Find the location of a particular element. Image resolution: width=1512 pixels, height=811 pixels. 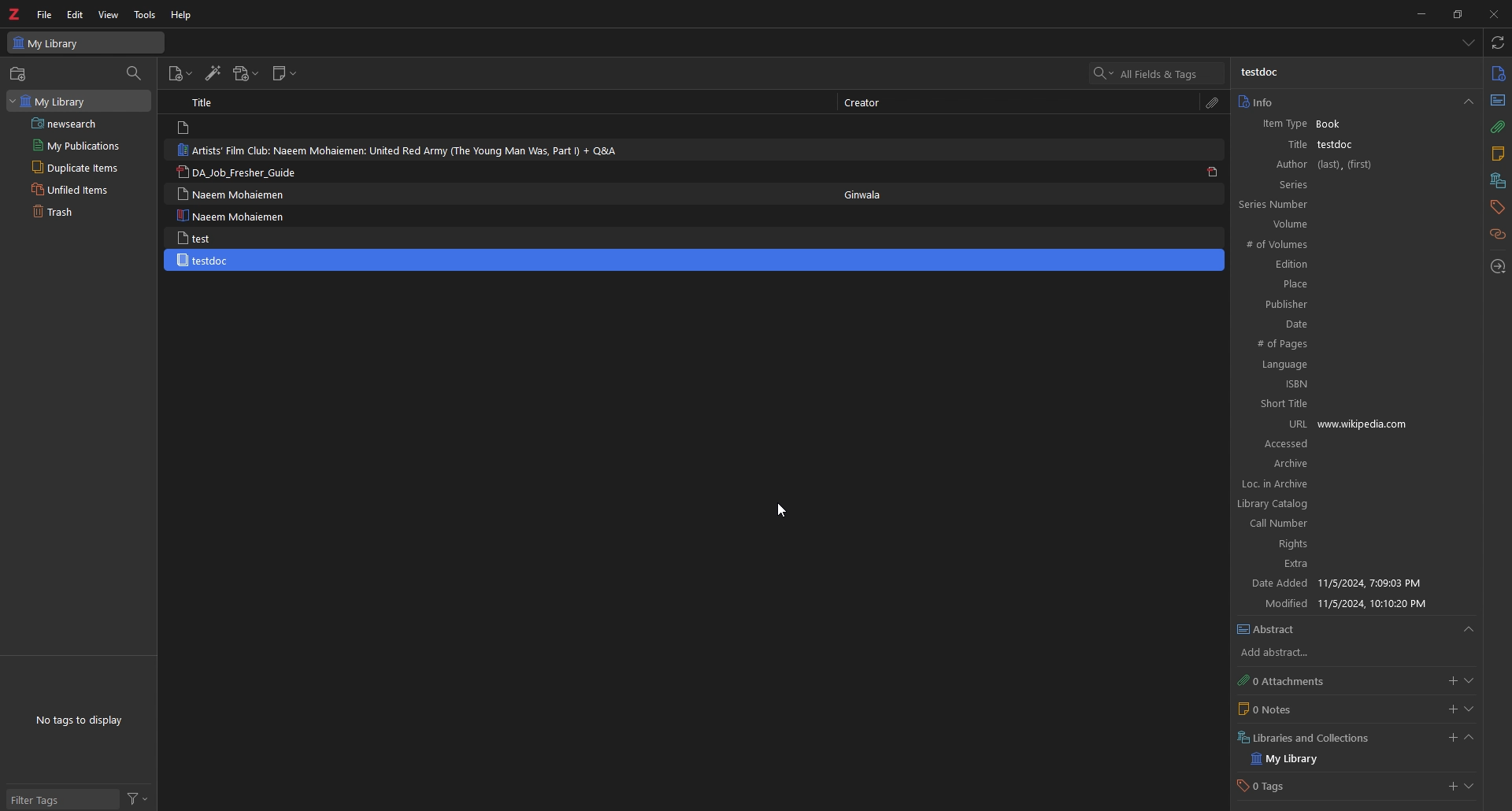

filter tags is located at coordinates (61, 800).